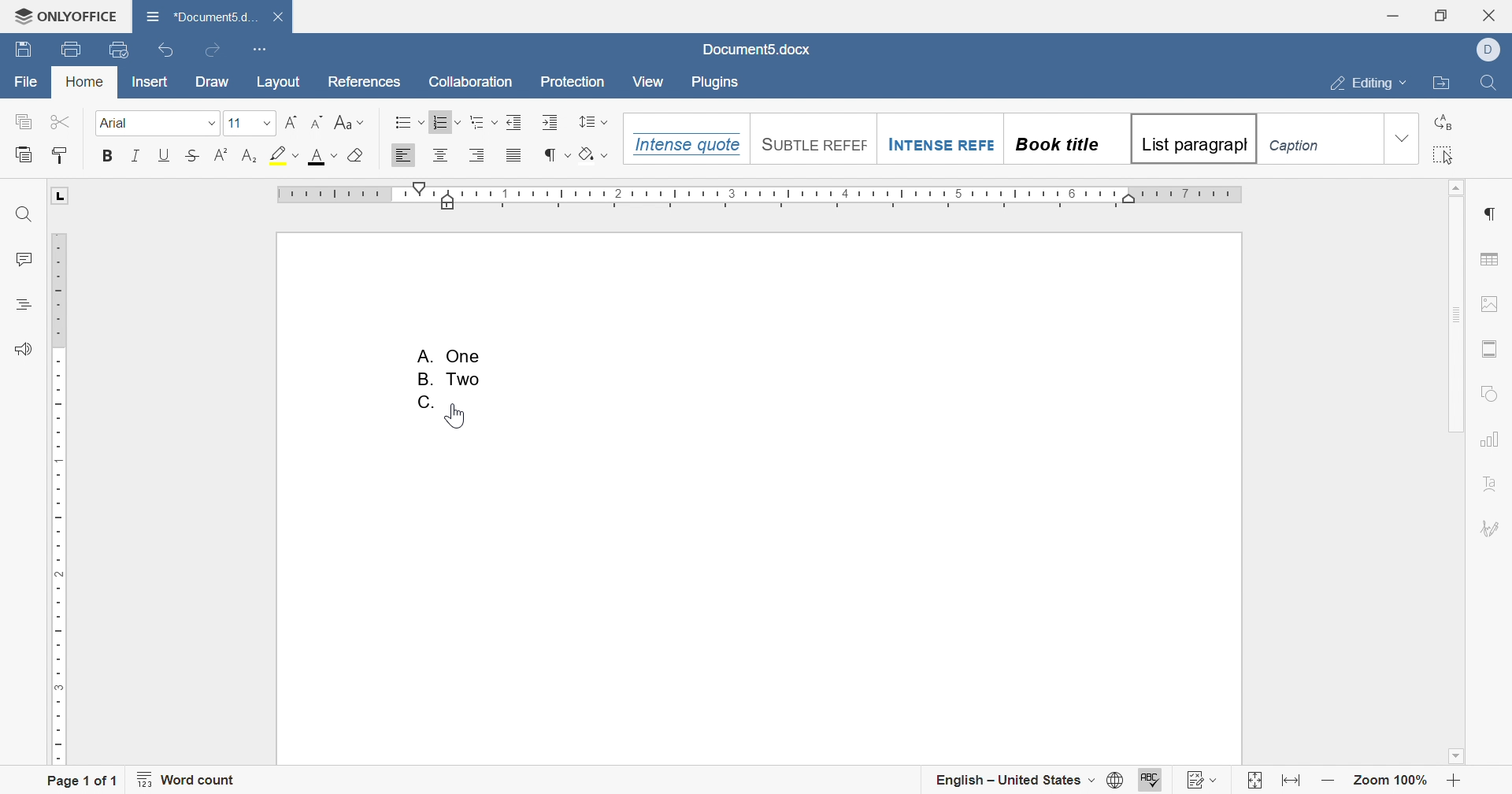  What do you see at coordinates (426, 403) in the screenshot?
I see `C.` at bounding box center [426, 403].